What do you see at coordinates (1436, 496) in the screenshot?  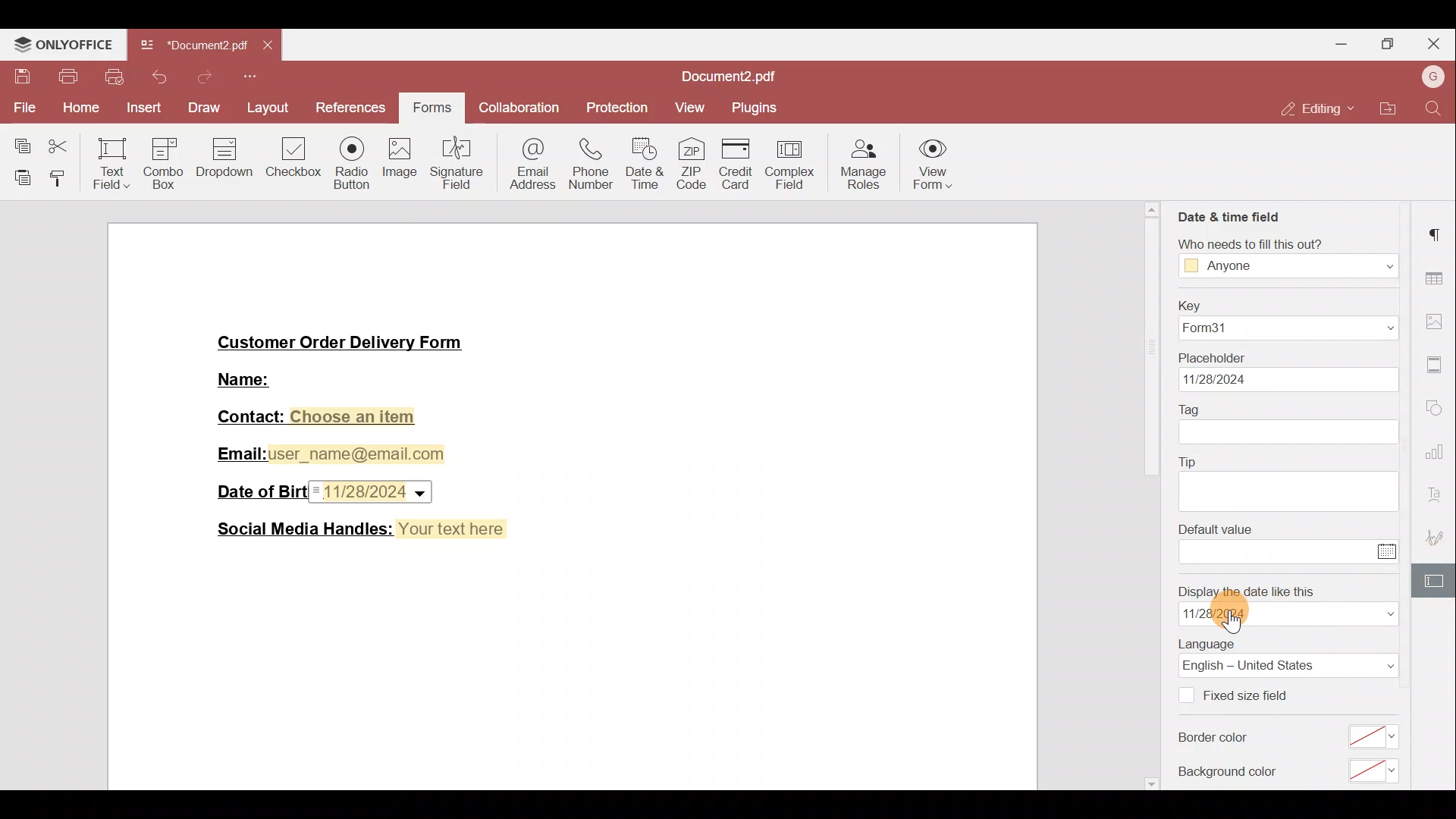 I see `Font settings` at bounding box center [1436, 496].